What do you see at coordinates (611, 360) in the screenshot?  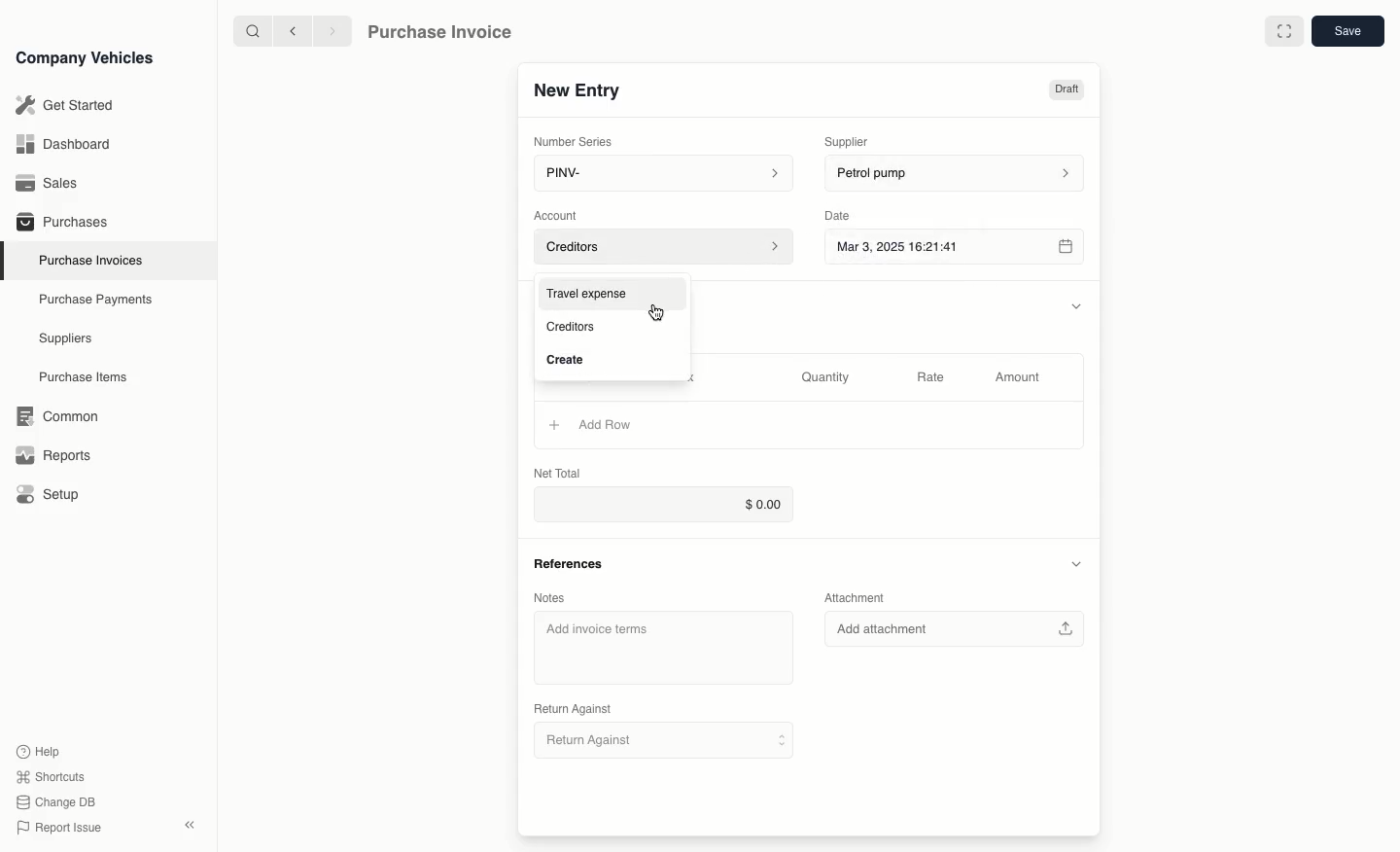 I see `Create` at bounding box center [611, 360].